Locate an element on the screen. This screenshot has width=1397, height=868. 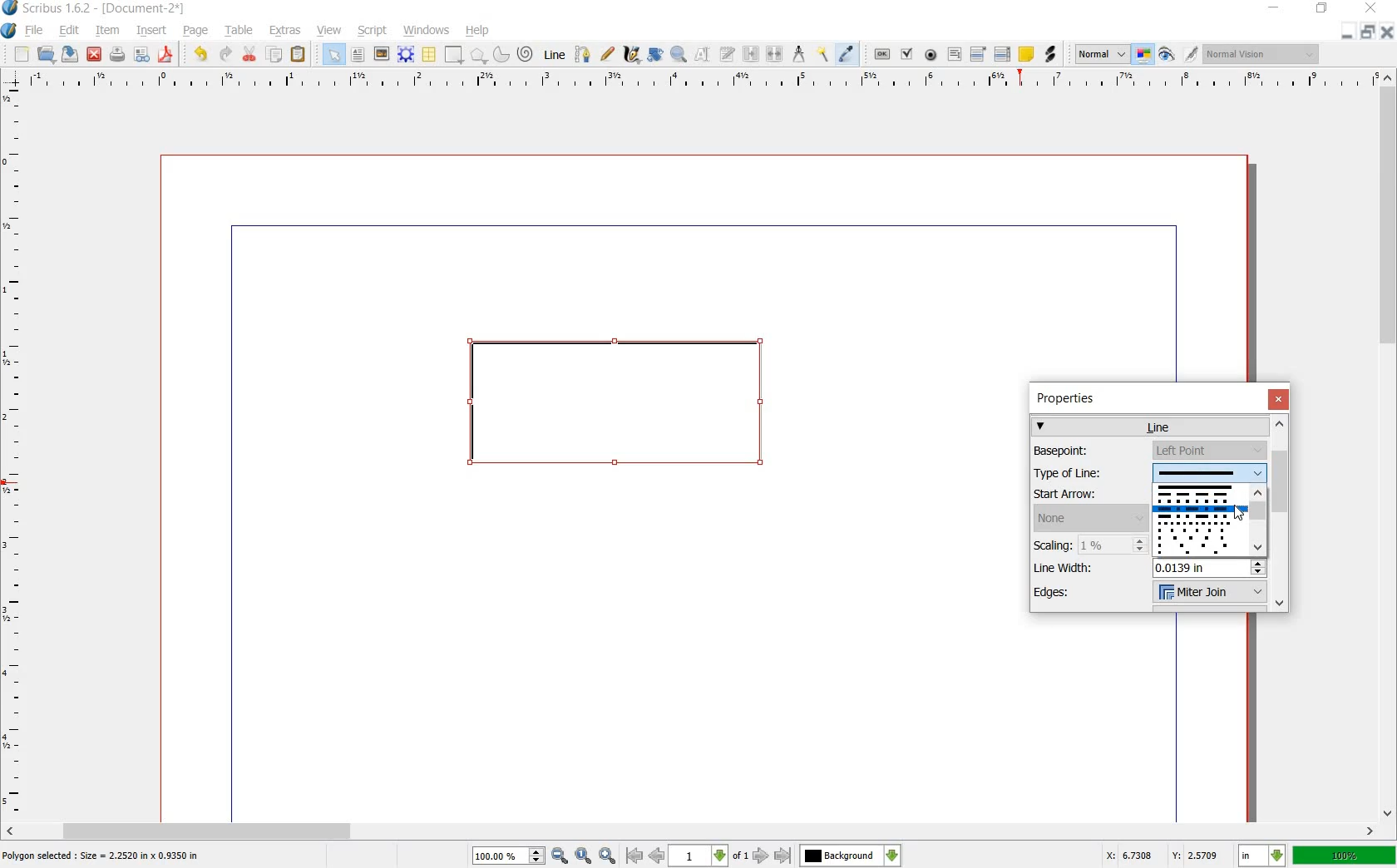
RULER is located at coordinates (14, 452).